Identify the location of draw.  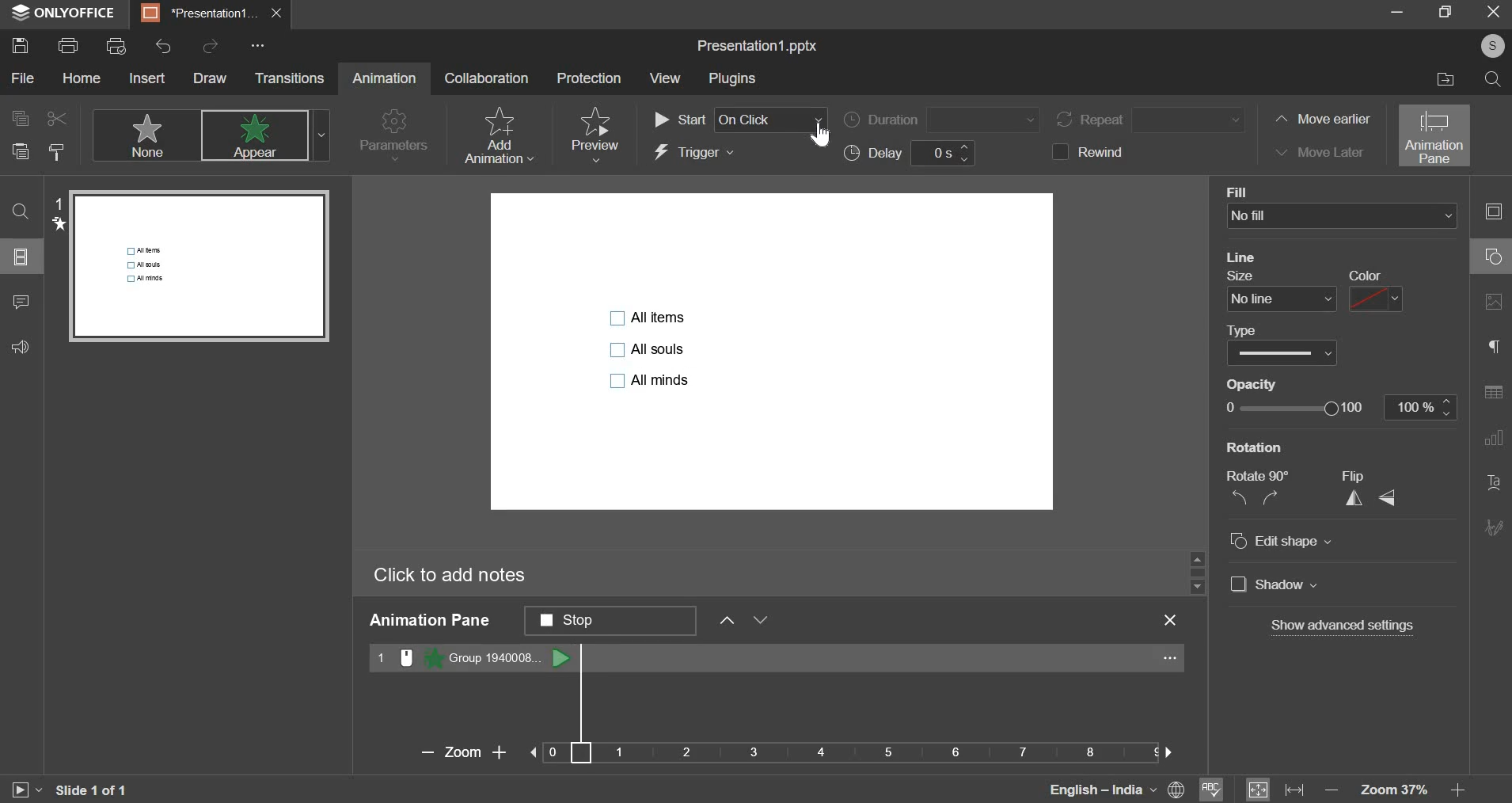
(210, 78).